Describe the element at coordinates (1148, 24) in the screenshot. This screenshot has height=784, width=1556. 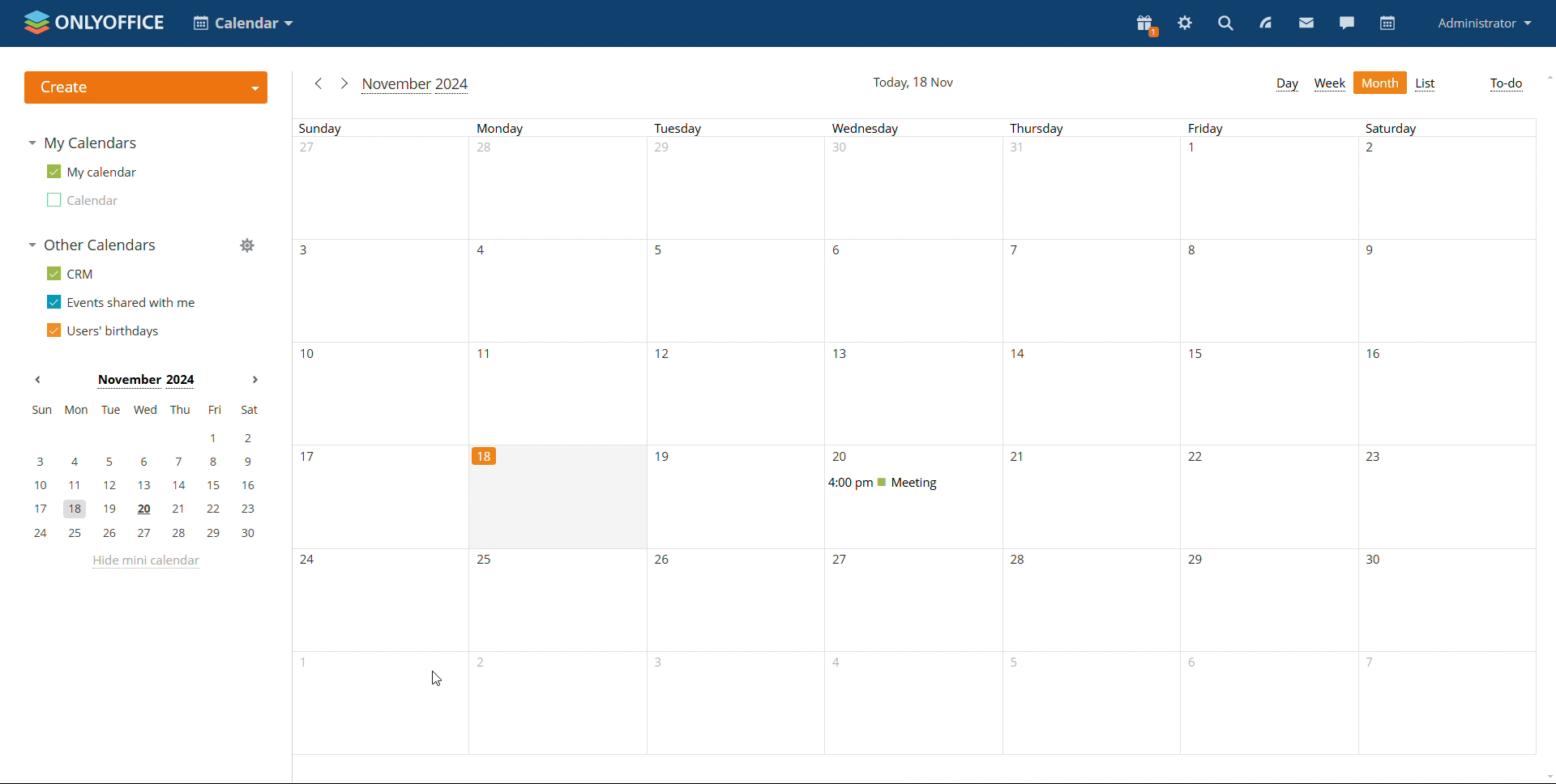
I see `present` at that location.